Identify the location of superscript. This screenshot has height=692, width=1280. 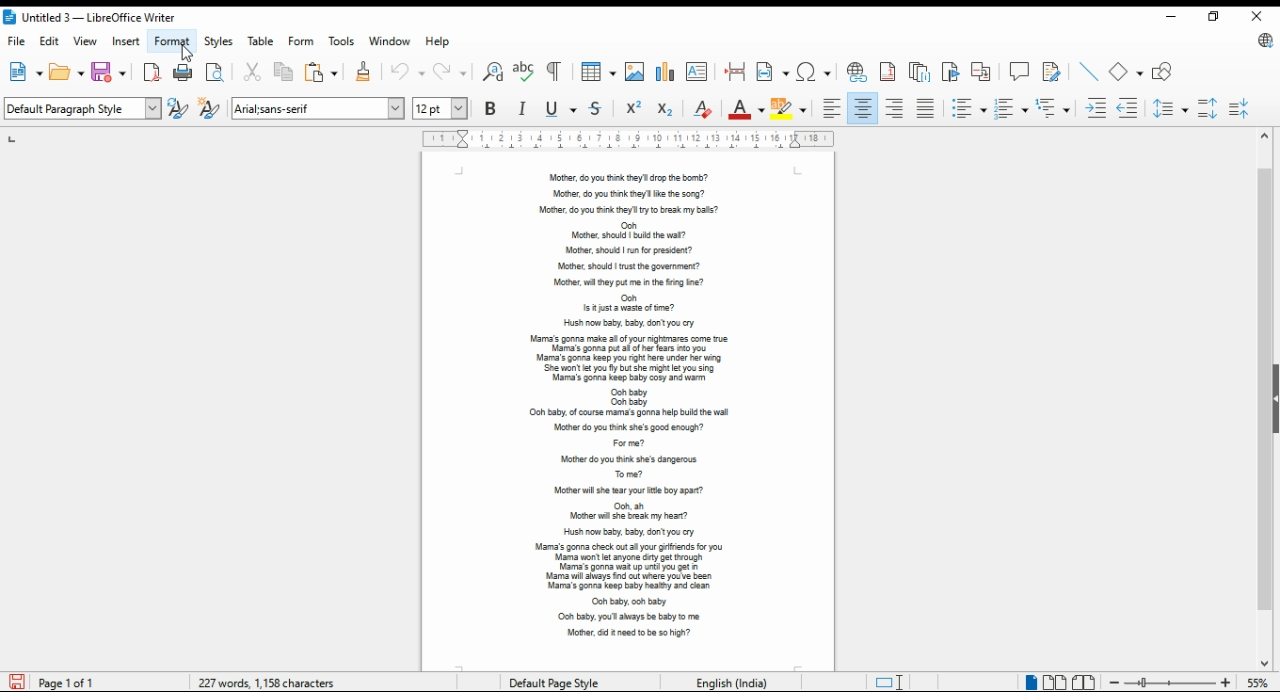
(633, 108).